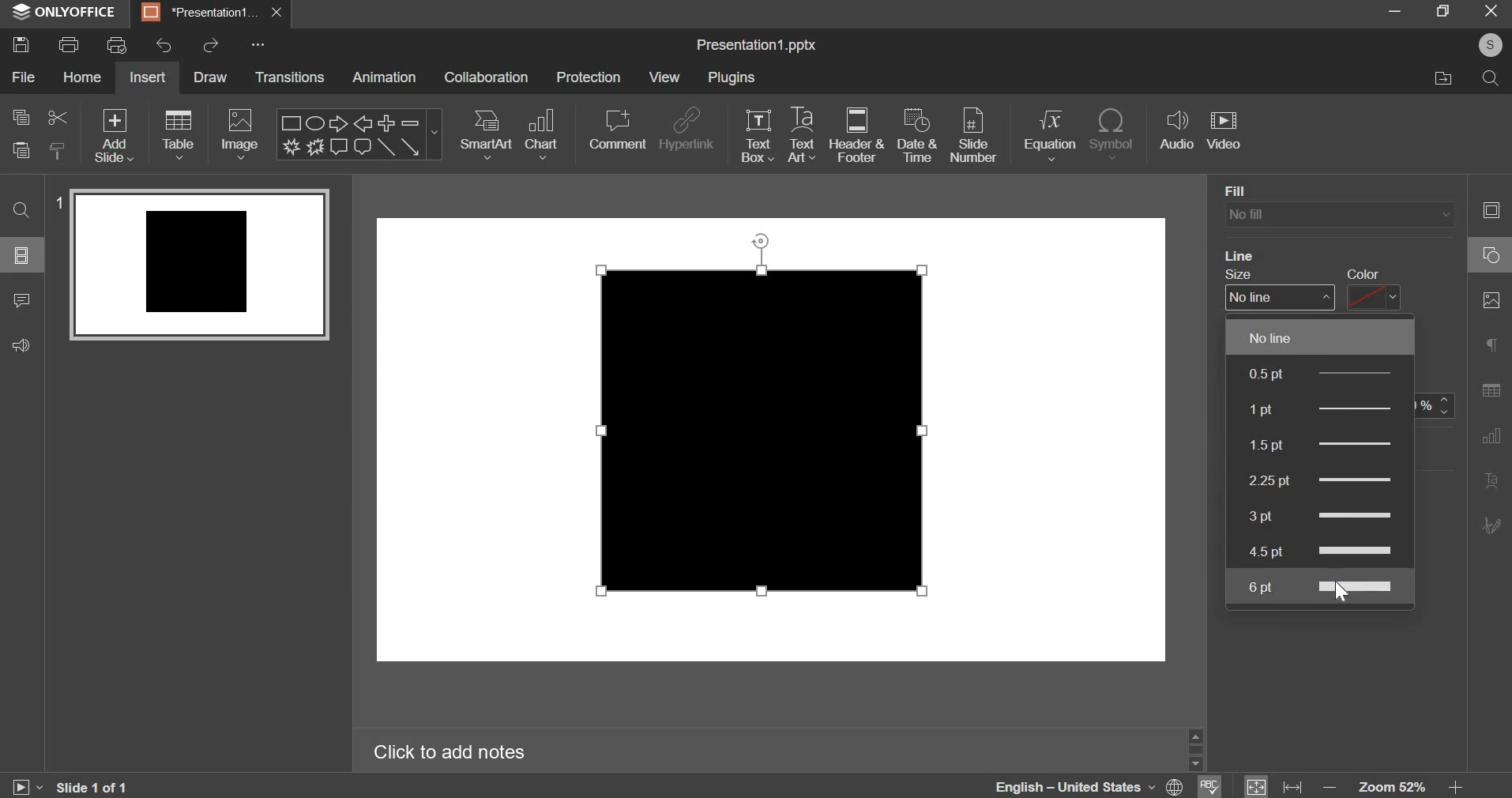  I want to click on Grid, so click(1491, 392).